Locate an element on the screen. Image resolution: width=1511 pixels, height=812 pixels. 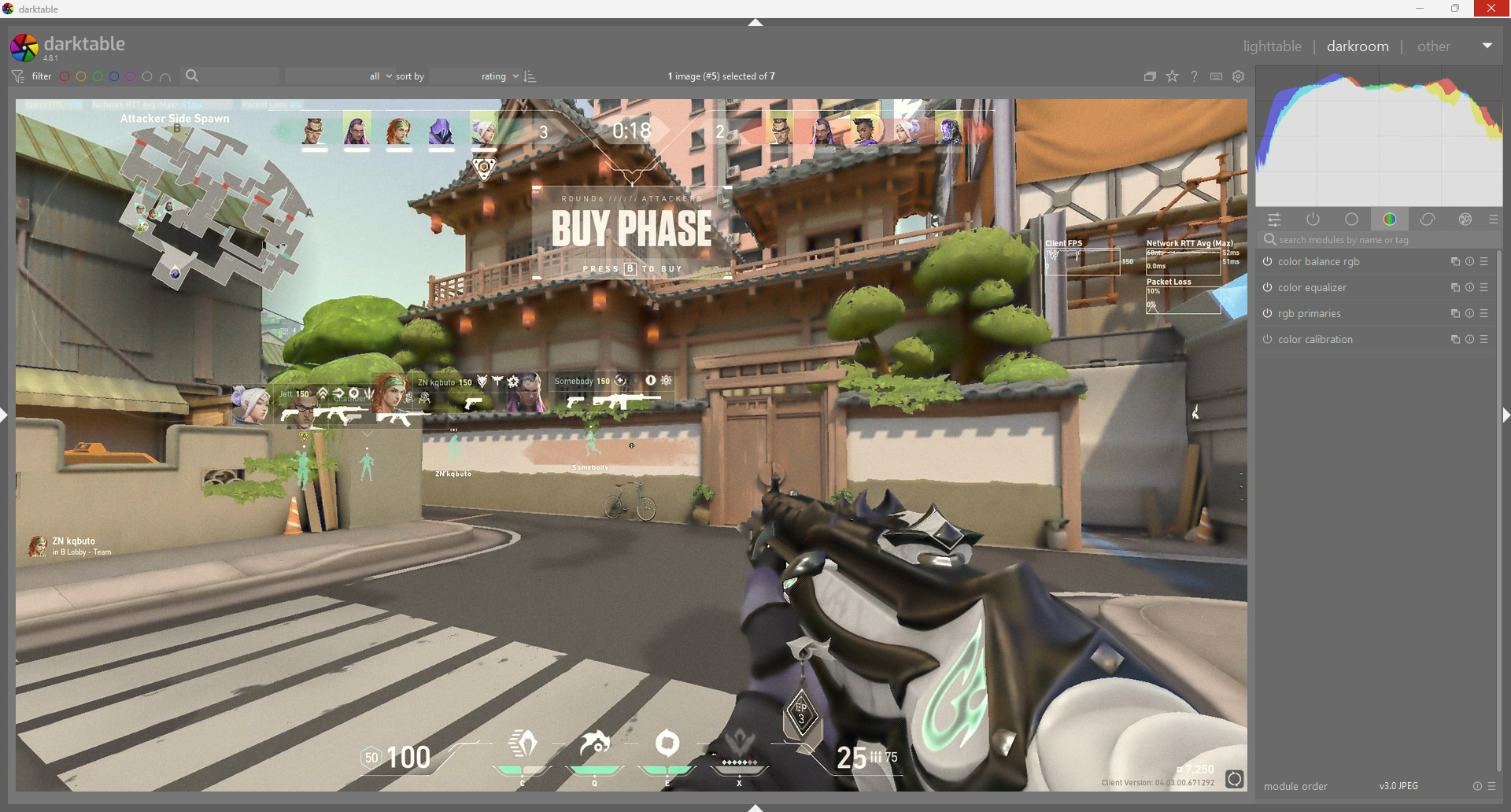
image is located at coordinates (634, 445).